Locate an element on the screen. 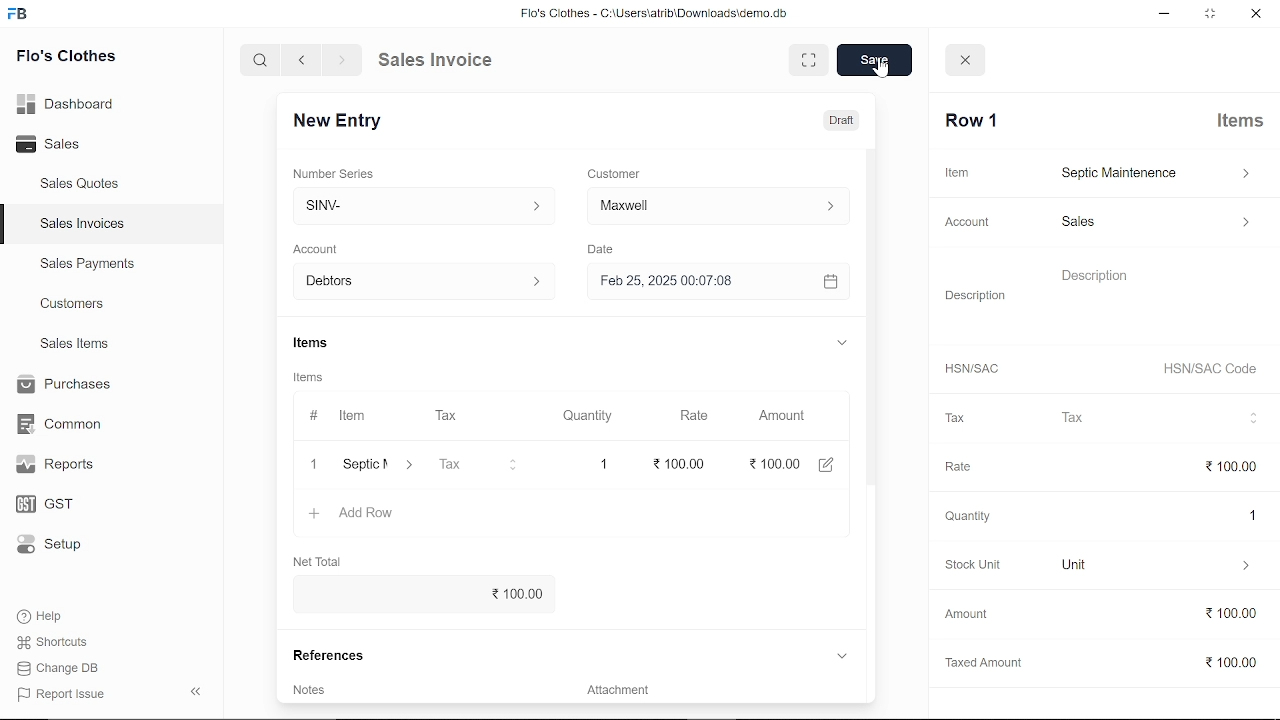 The width and height of the screenshot is (1280, 720). Insert Customer is located at coordinates (715, 205).